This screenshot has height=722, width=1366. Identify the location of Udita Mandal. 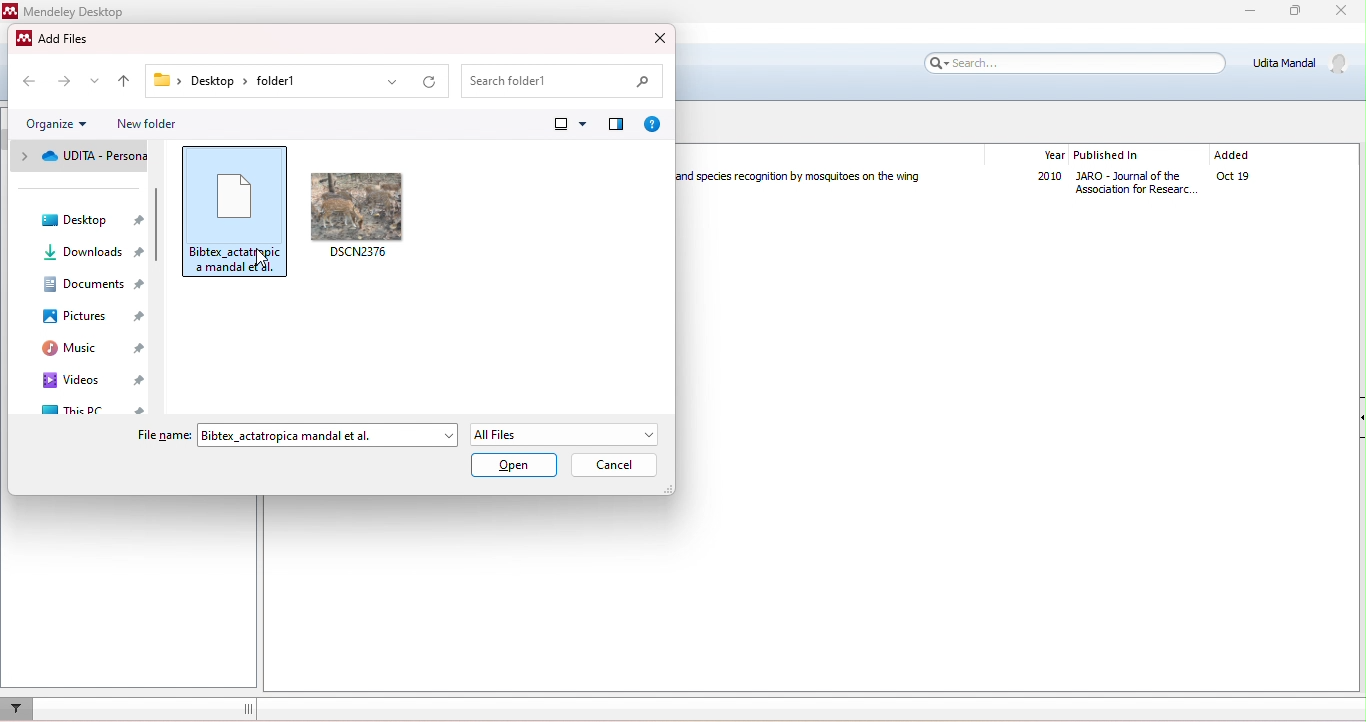
(1300, 61).